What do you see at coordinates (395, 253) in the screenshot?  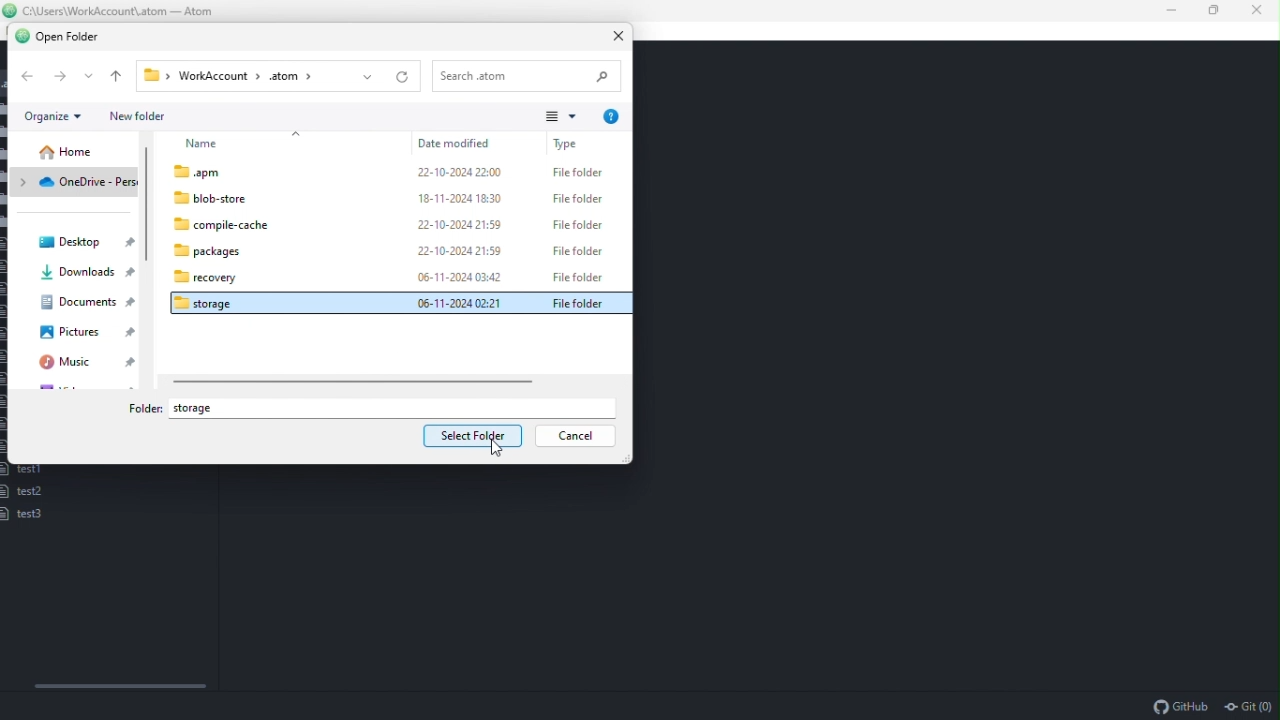 I see `packages` at bounding box center [395, 253].